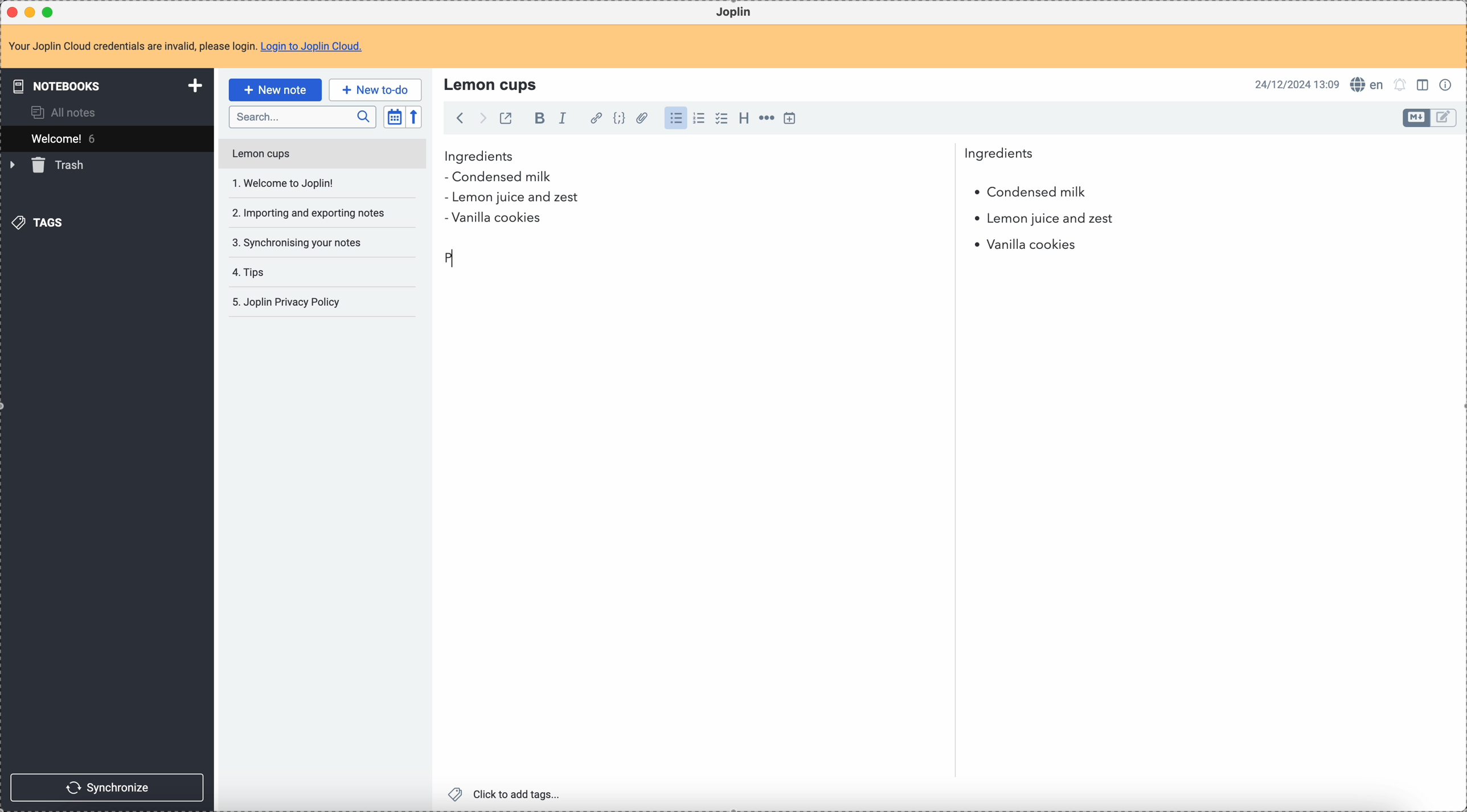 The height and width of the screenshot is (812, 1467). What do you see at coordinates (493, 84) in the screenshot?
I see `lemon cups` at bounding box center [493, 84].